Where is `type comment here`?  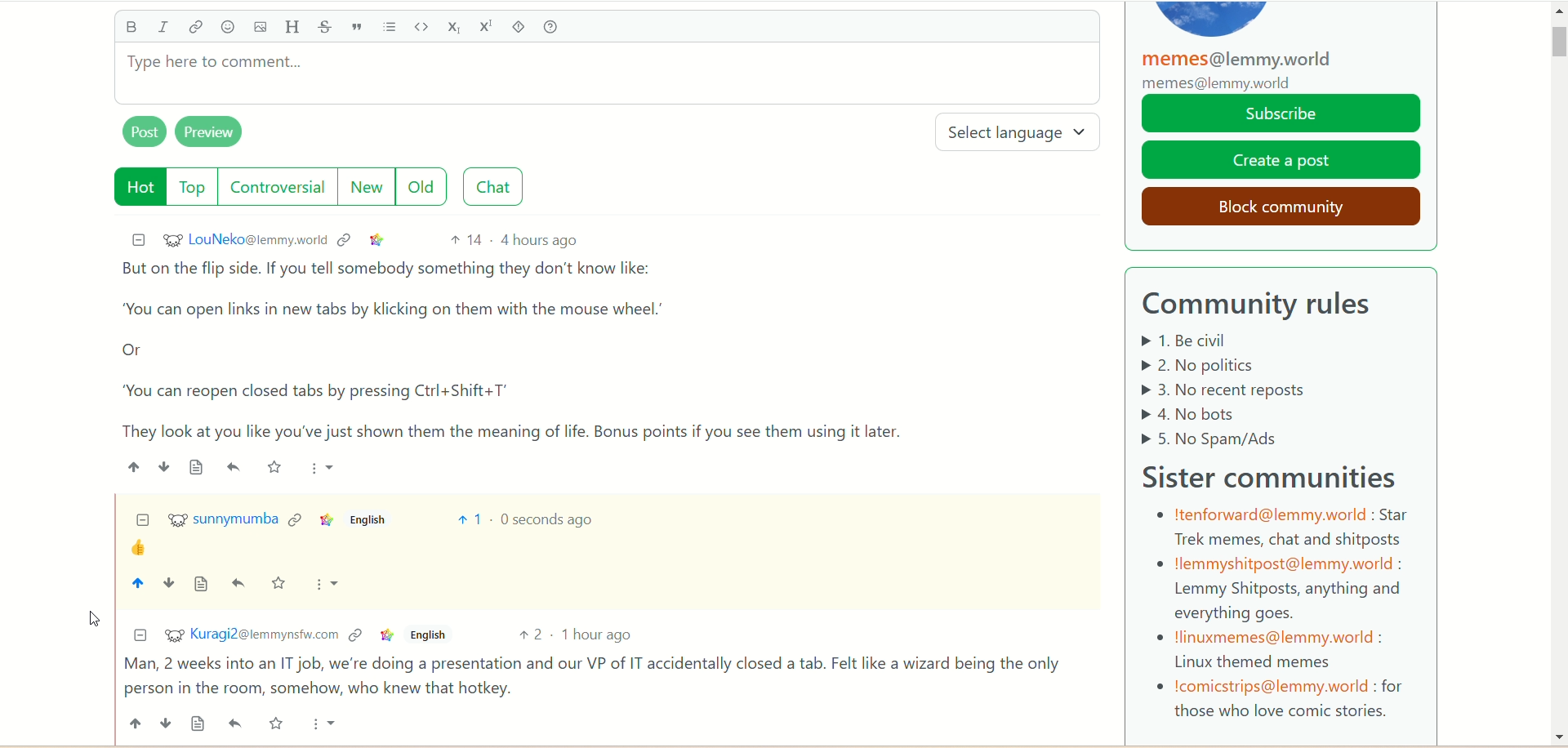
type comment here is located at coordinates (605, 80).